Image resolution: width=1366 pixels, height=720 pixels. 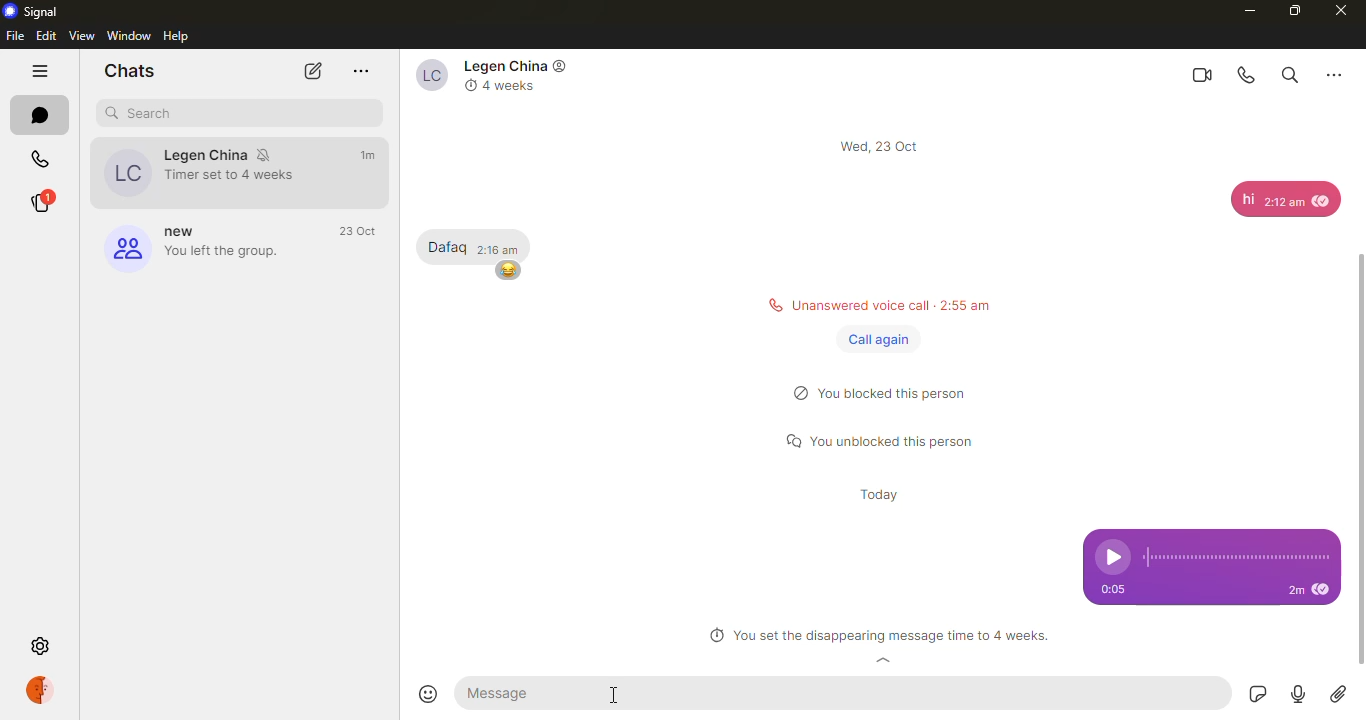 What do you see at coordinates (1324, 591) in the screenshot?
I see `seen` at bounding box center [1324, 591].